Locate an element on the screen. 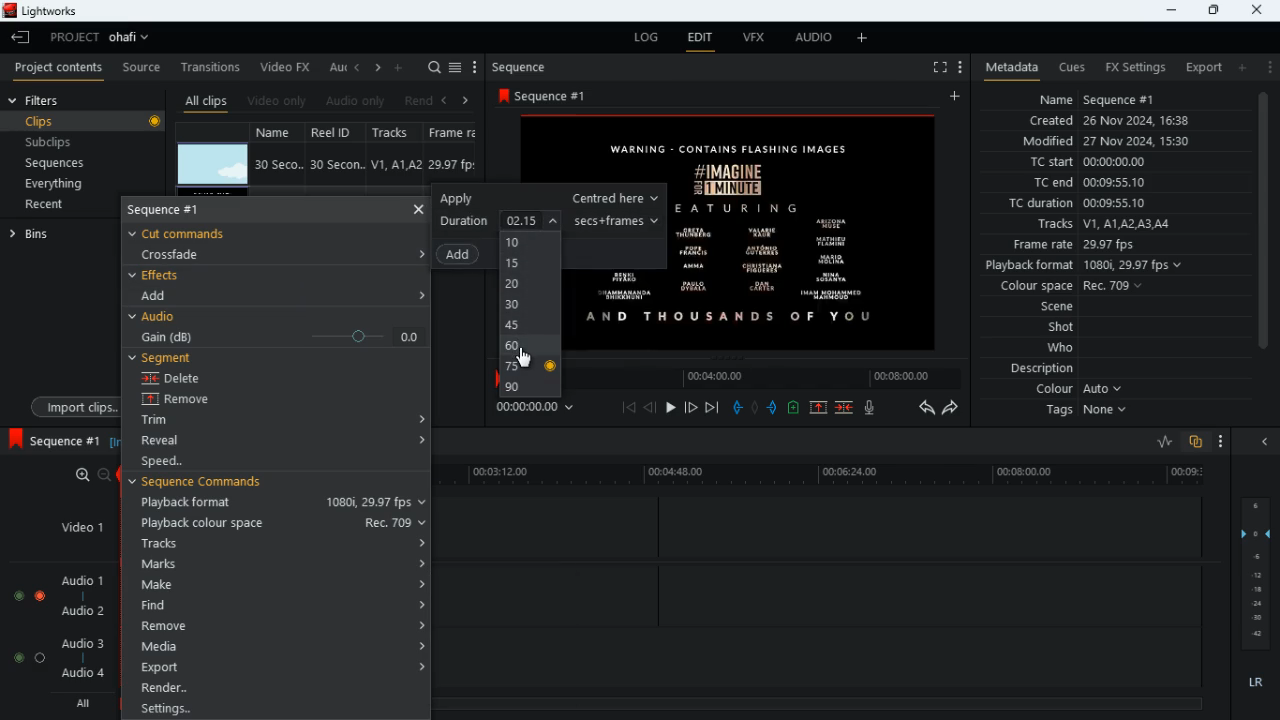  reveal is located at coordinates (178, 441).